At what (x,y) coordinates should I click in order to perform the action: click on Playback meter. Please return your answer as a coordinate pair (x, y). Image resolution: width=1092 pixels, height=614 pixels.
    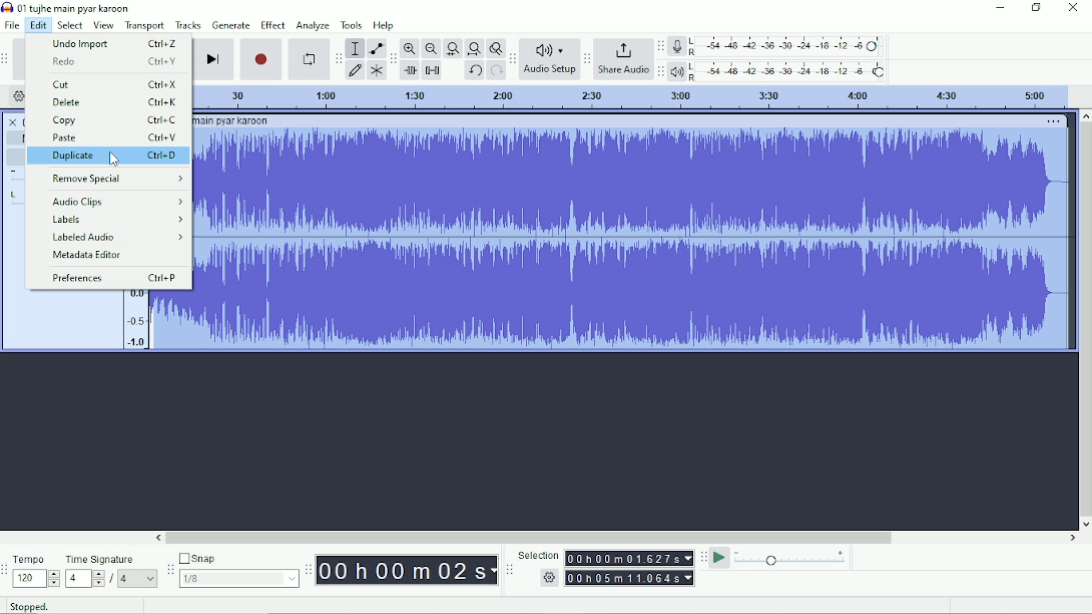
    Looking at the image, I should click on (778, 71).